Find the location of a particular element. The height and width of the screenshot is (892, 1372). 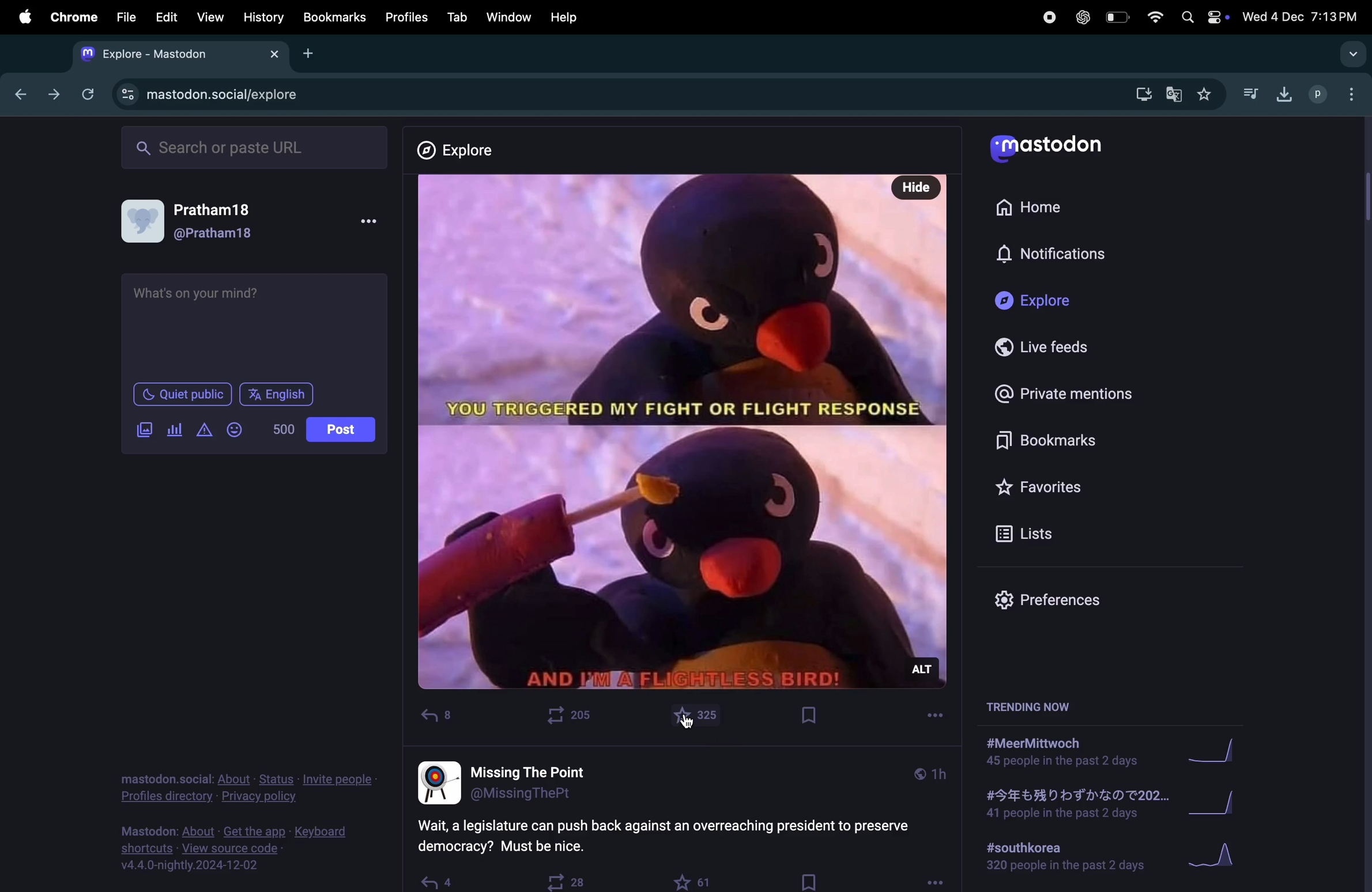

battery is located at coordinates (1117, 17).